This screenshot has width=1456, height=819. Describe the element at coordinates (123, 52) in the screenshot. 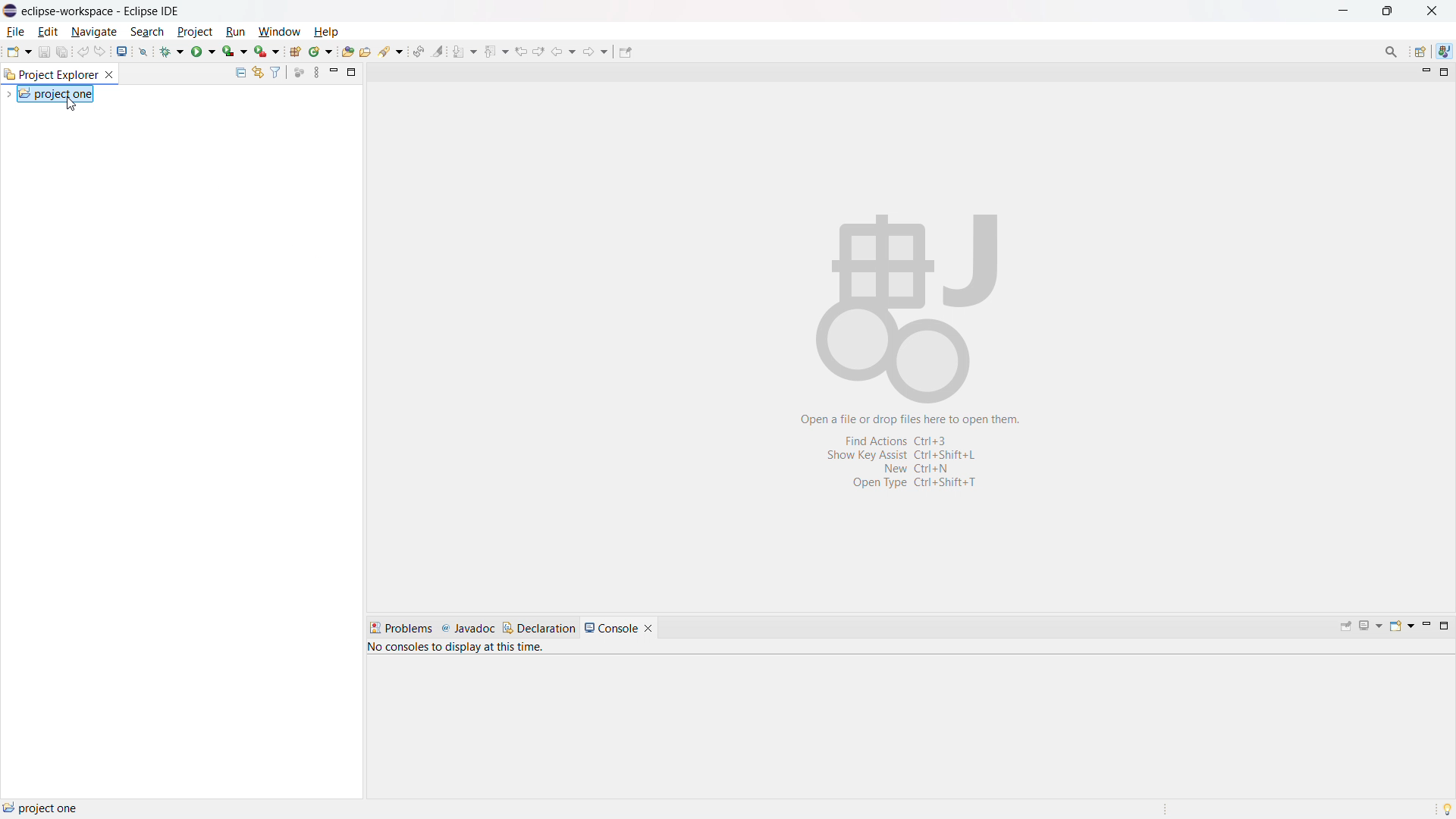

I see `open console` at that location.